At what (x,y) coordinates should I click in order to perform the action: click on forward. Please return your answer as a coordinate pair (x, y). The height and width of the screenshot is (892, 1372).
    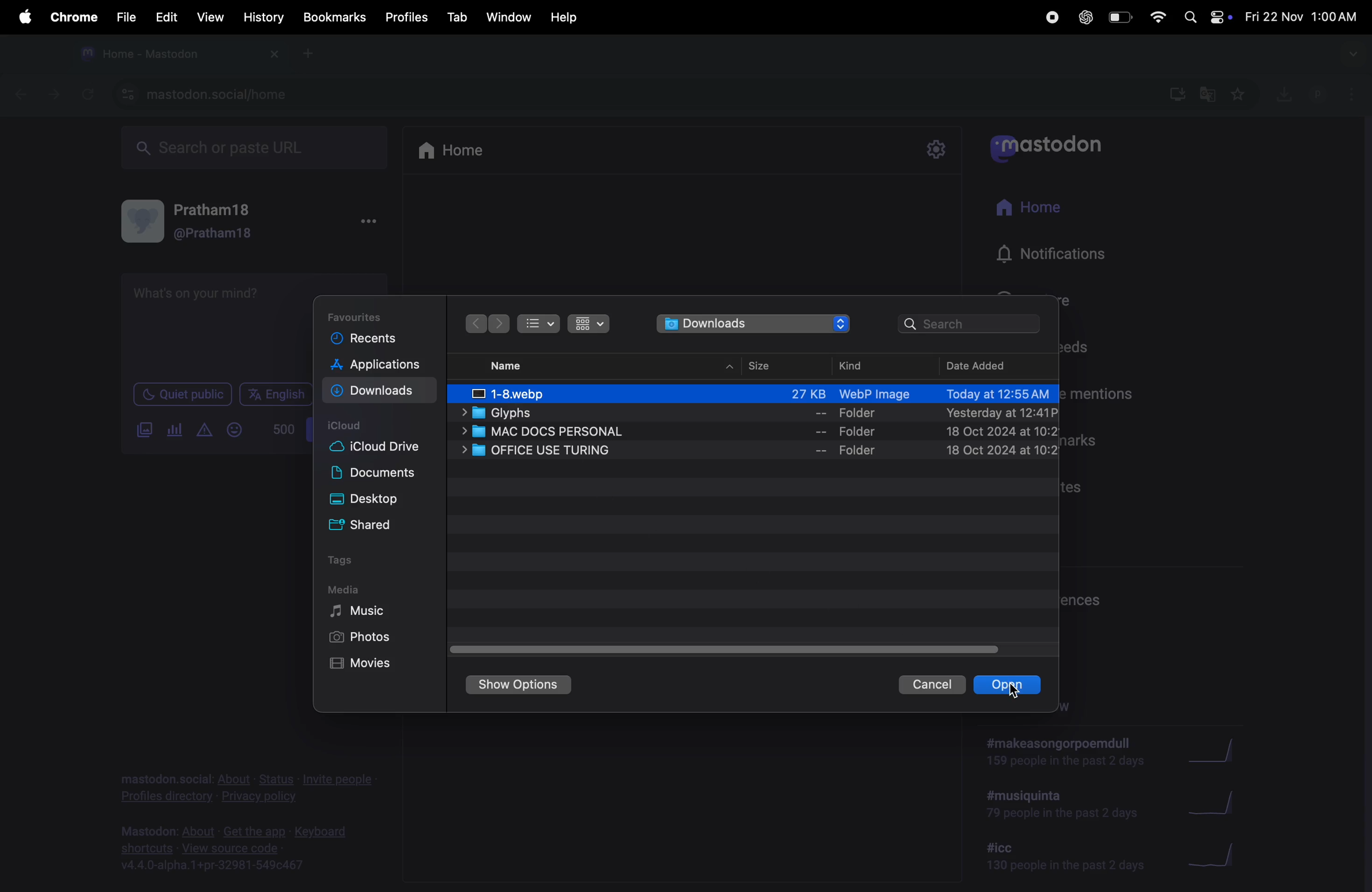
    Looking at the image, I should click on (55, 96).